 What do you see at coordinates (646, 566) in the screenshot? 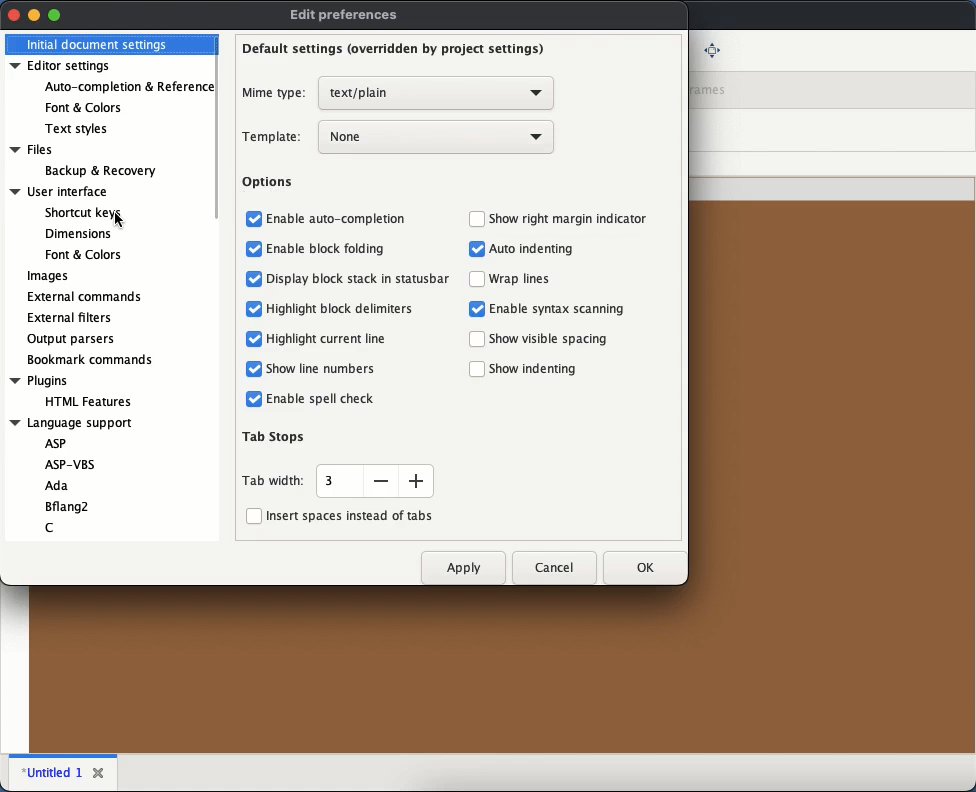
I see `ok` at bounding box center [646, 566].